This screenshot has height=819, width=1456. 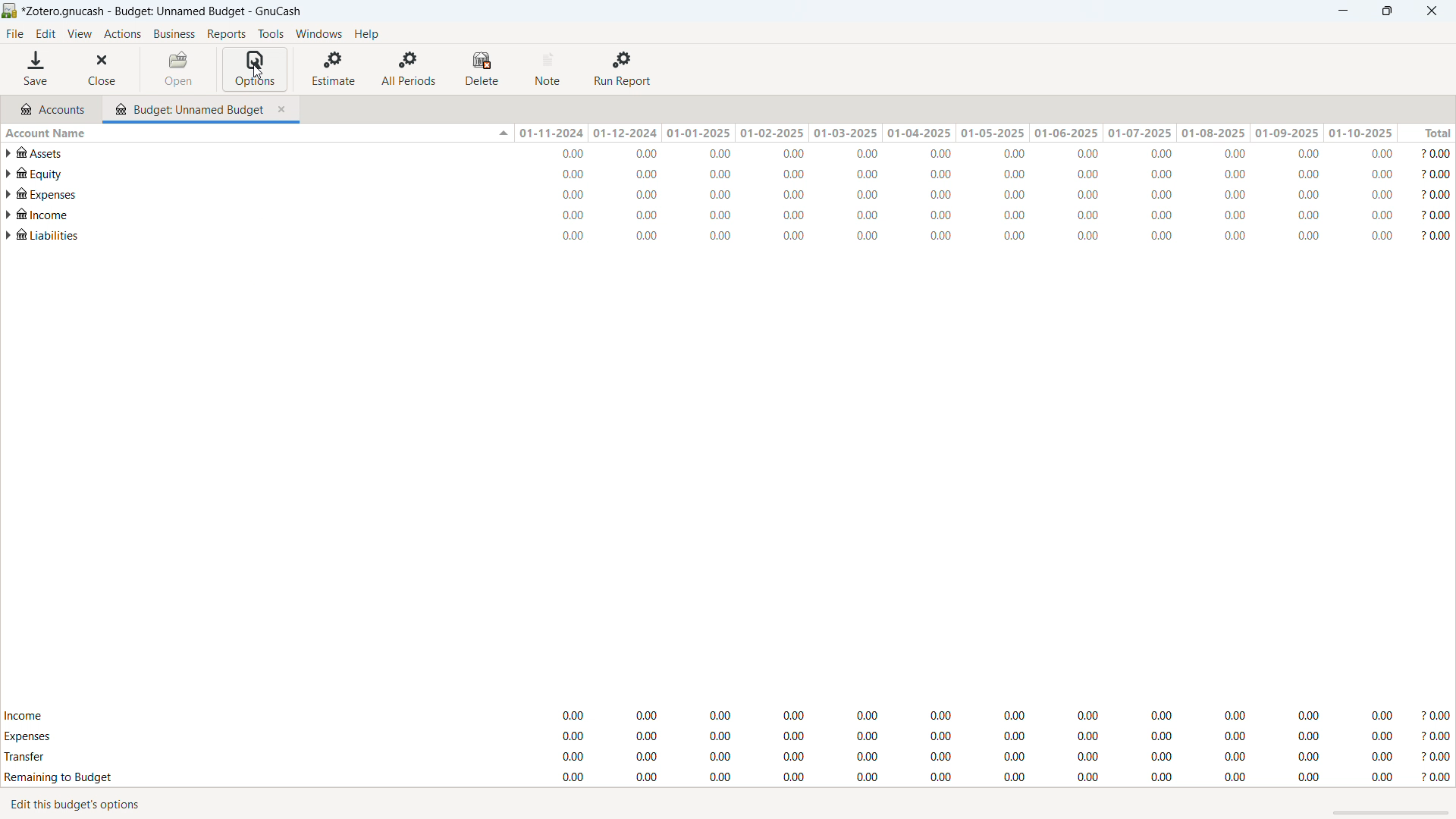 I want to click on 01-10-2025, so click(x=1360, y=133).